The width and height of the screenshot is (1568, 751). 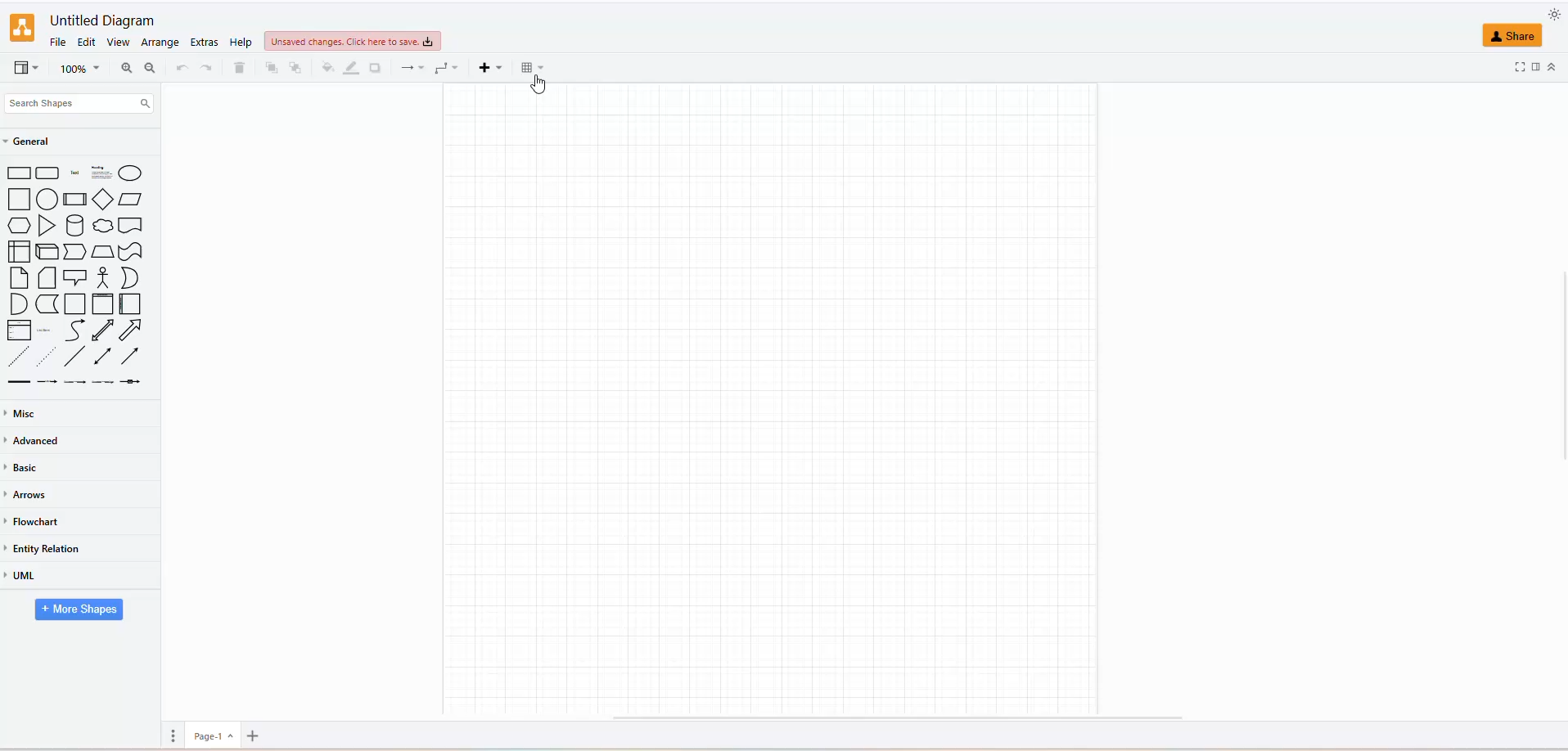 I want to click on delete, so click(x=238, y=66).